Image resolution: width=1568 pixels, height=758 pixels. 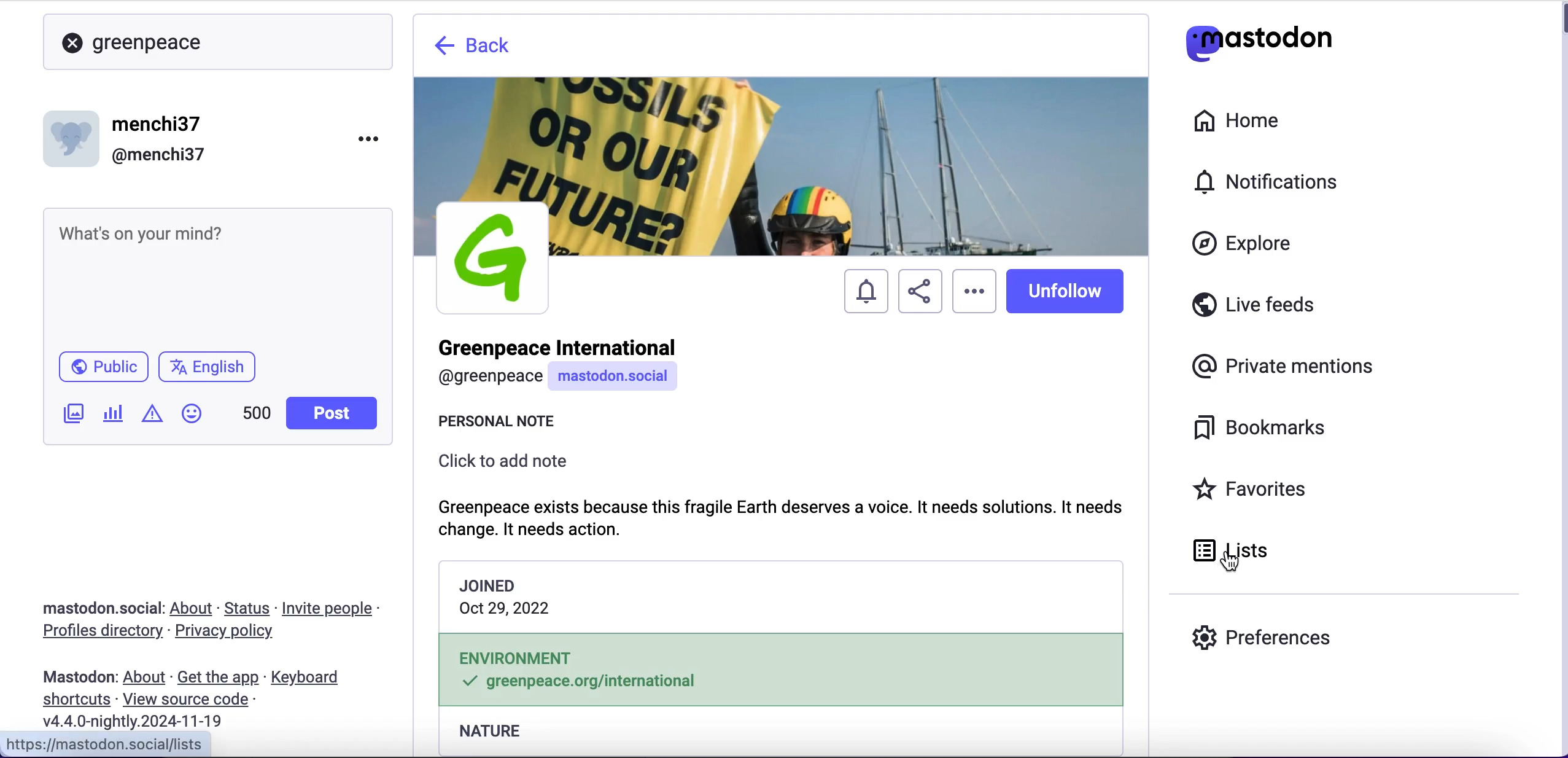 What do you see at coordinates (107, 744) in the screenshot?
I see `URL` at bounding box center [107, 744].